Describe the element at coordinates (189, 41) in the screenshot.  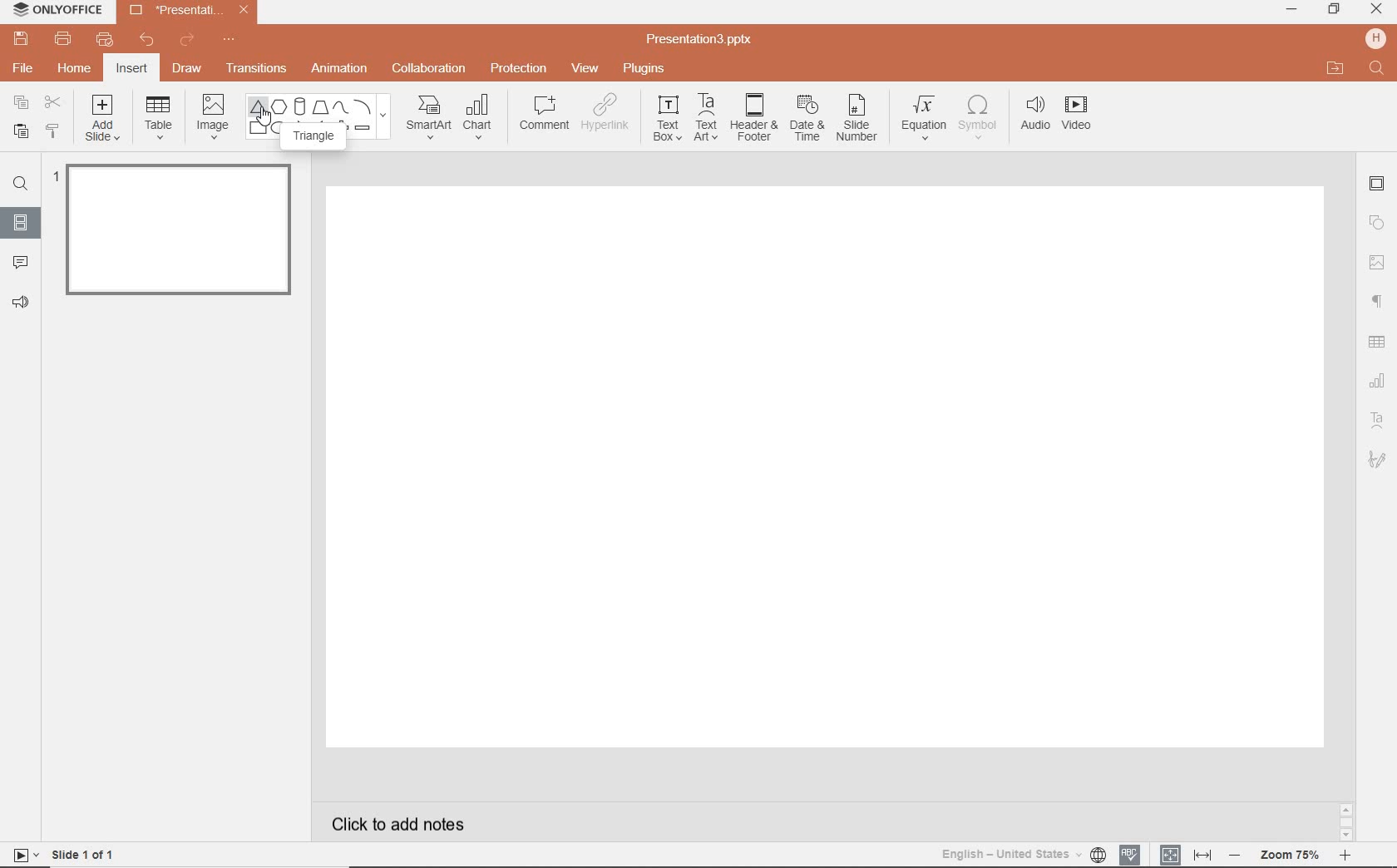
I see `REDO` at that location.